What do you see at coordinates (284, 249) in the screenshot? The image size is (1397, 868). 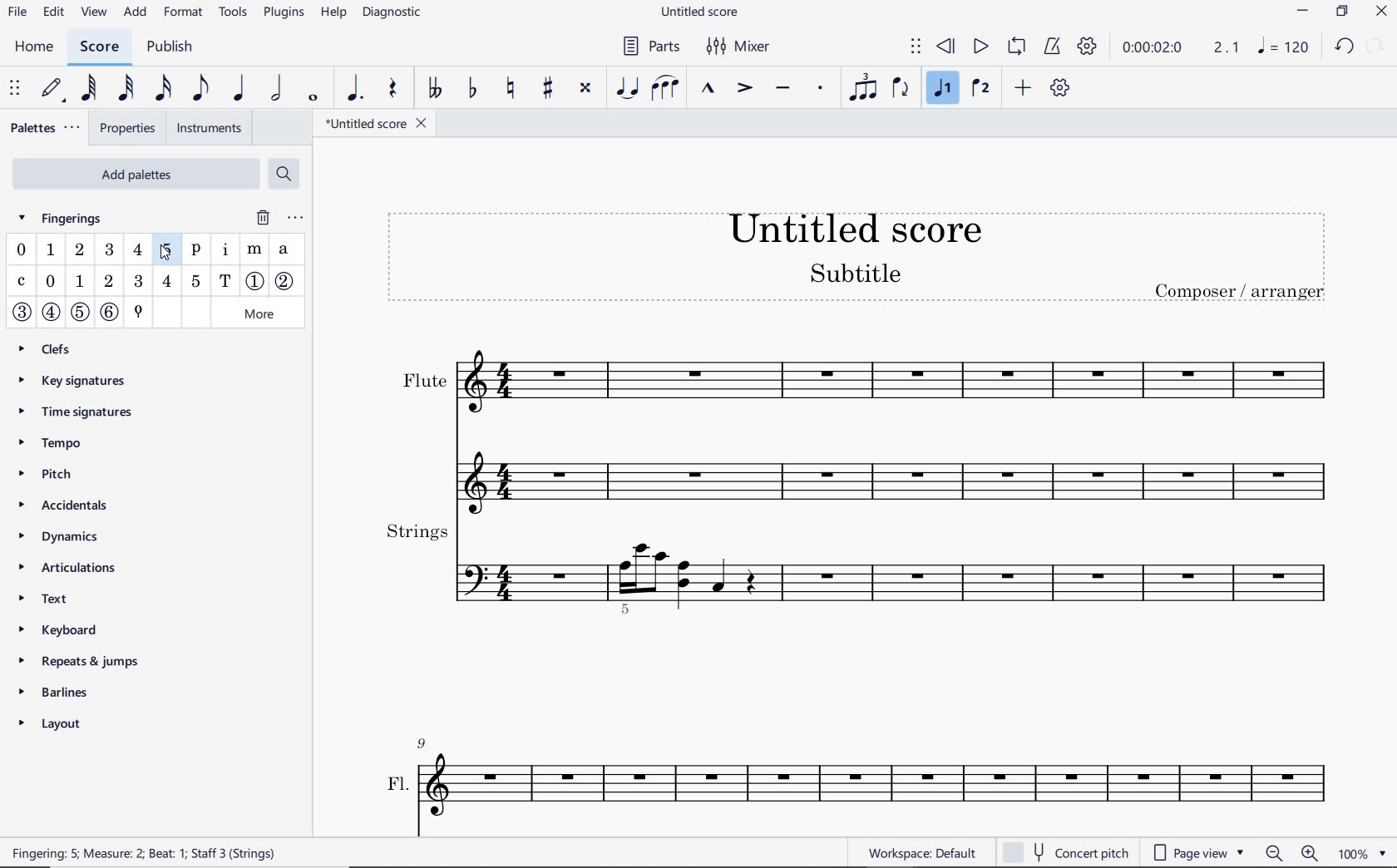 I see `RH GUITAR FINGERING A` at bounding box center [284, 249].